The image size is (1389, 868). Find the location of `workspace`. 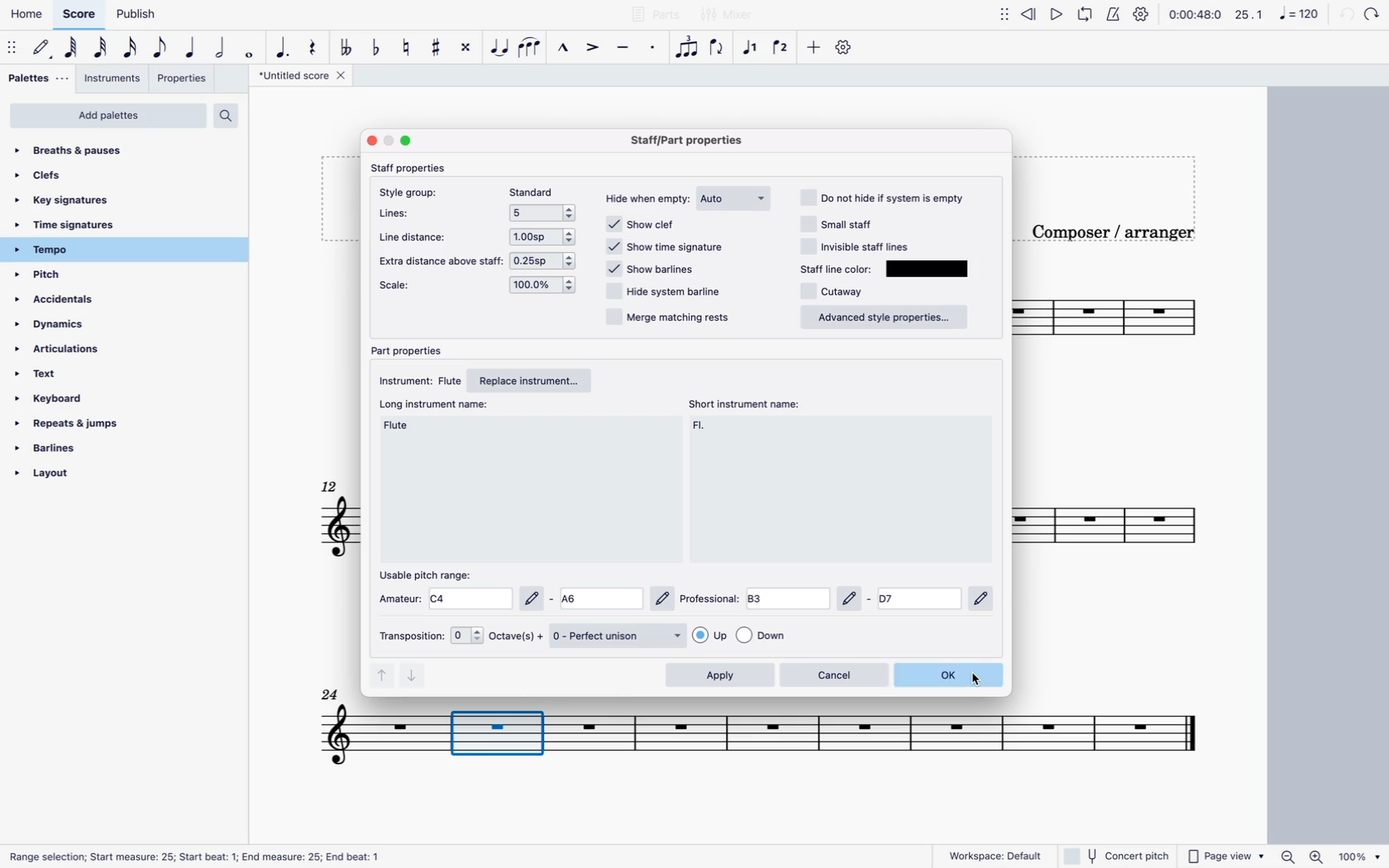

workspace is located at coordinates (987, 855).